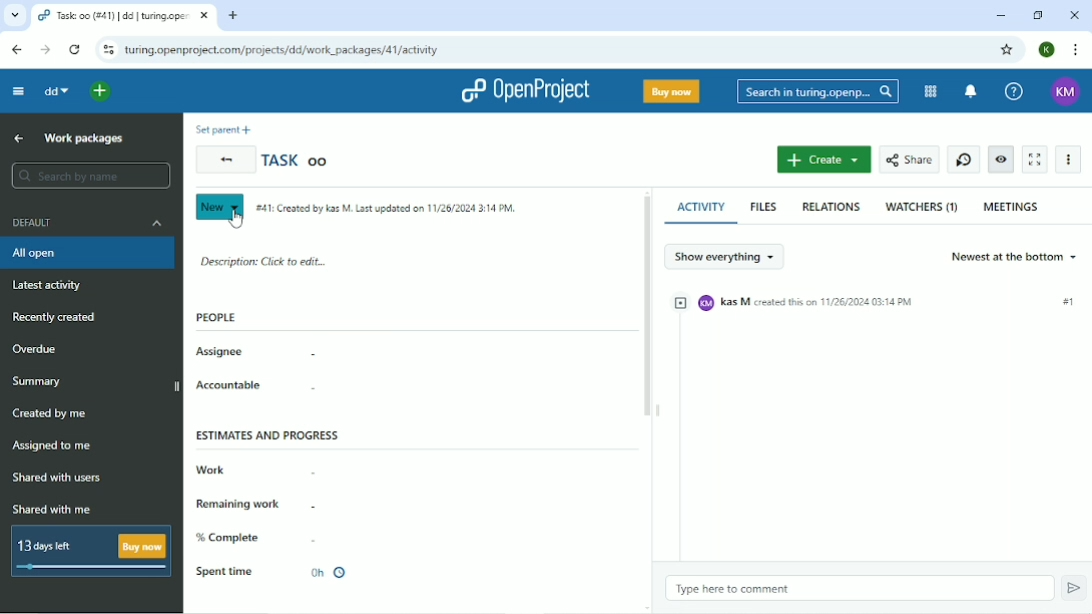  I want to click on Work, so click(210, 470).